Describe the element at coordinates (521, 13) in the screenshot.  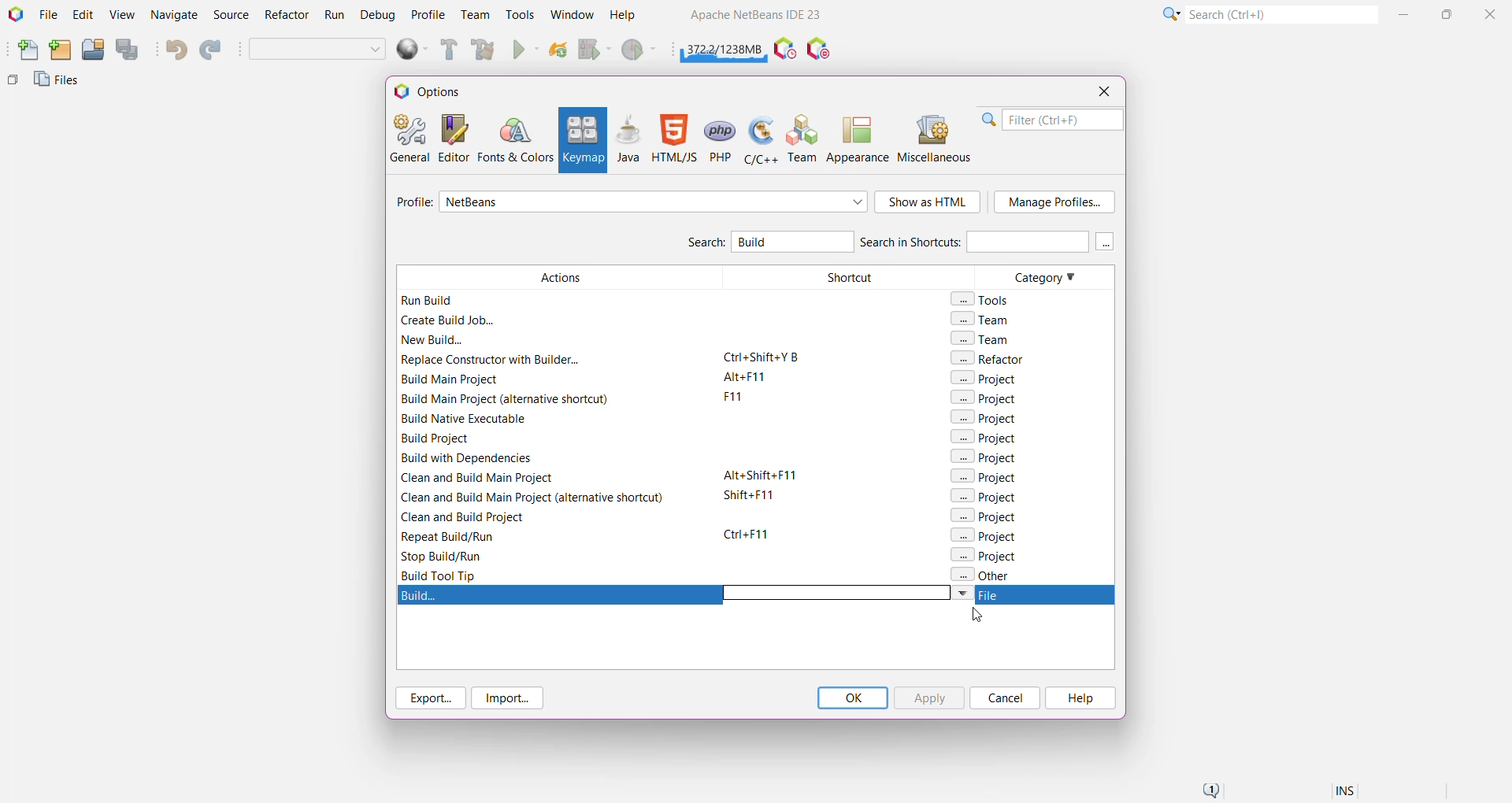
I see `Tools` at that location.